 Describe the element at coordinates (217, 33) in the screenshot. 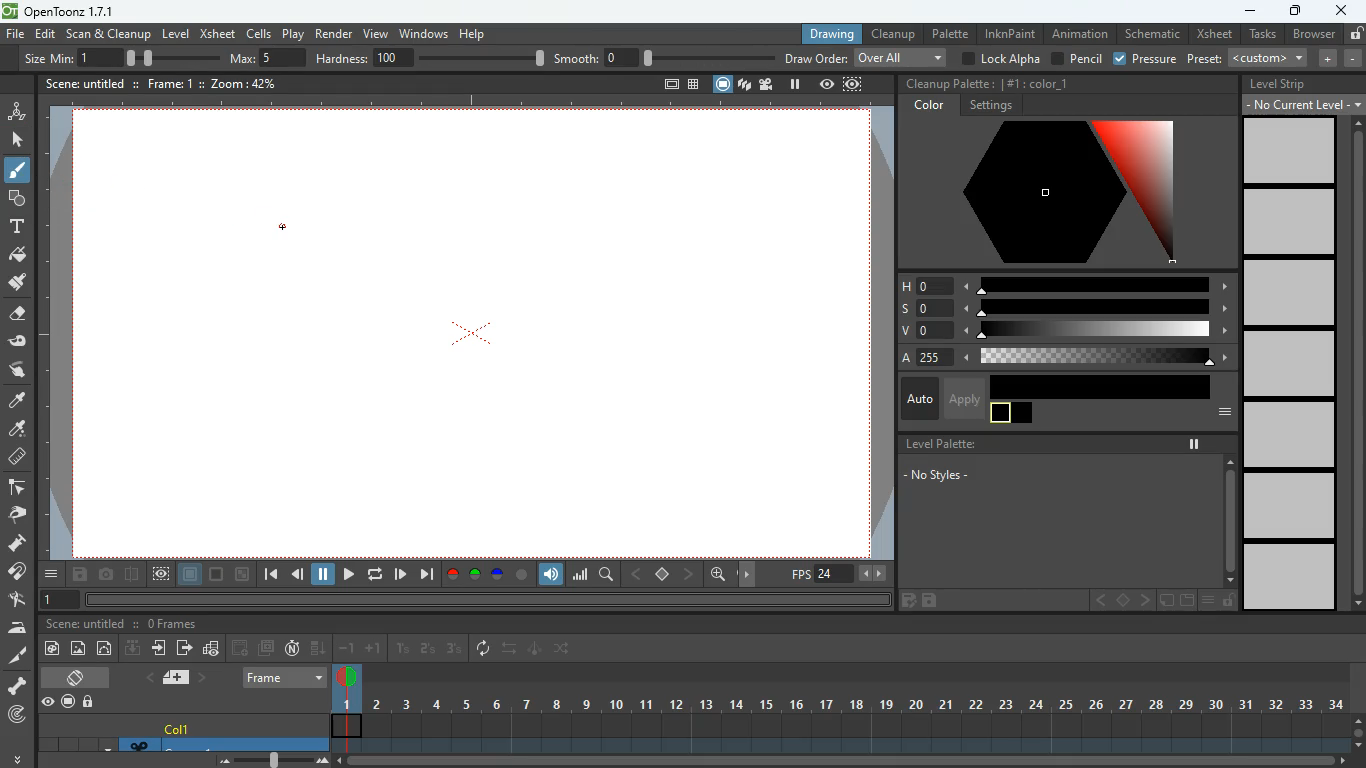

I see `xsheet` at that location.